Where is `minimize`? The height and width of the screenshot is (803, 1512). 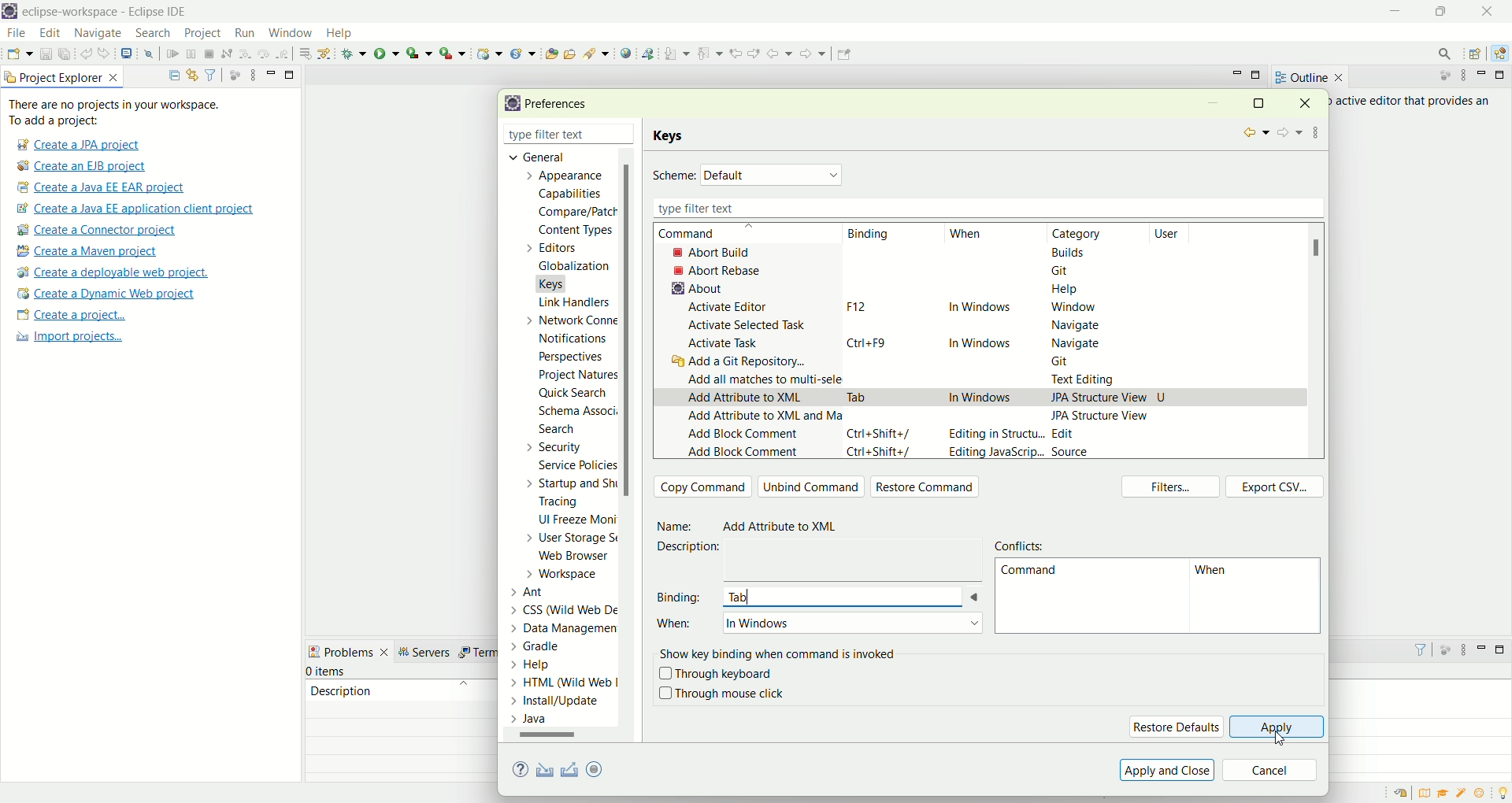 minimize is located at coordinates (1482, 647).